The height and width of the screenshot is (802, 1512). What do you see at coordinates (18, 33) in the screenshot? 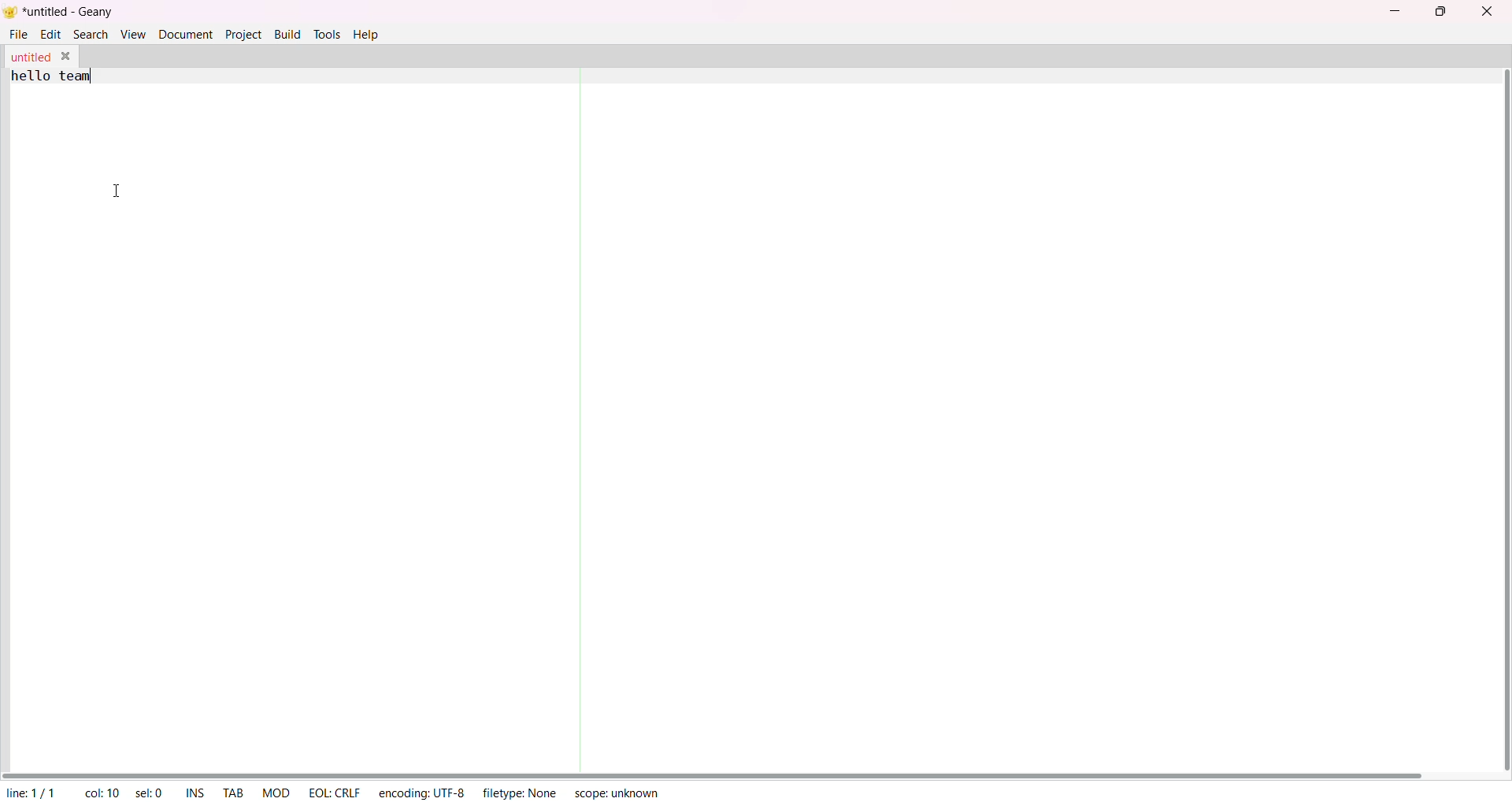
I see `file` at bounding box center [18, 33].